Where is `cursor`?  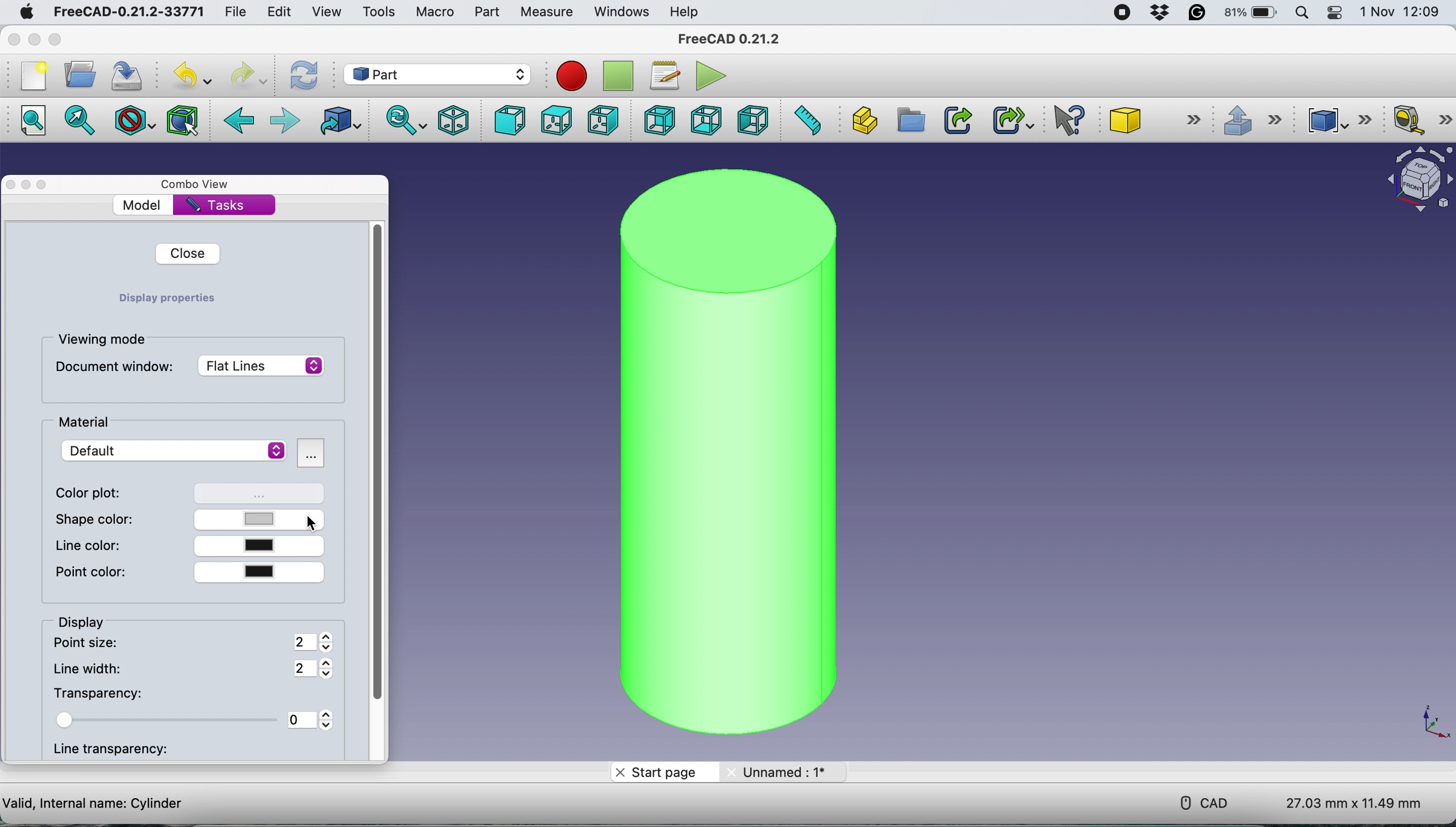
cursor is located at coordinates (313, 524).